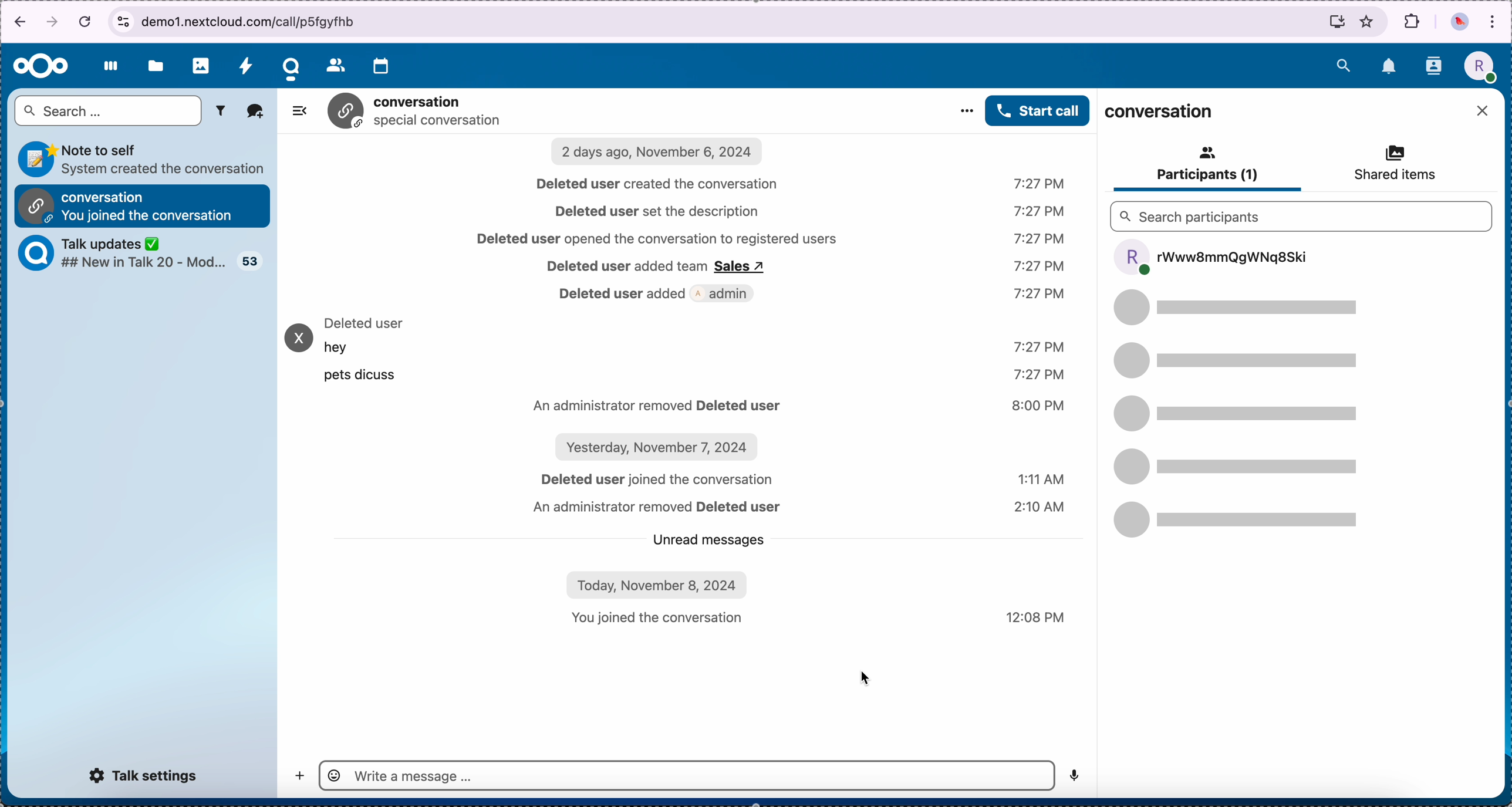 The height and width of the screenshot is (807, 1512). Describe the element at coordinates (141, 205) in the screenshot. I see `conversation` at that location.